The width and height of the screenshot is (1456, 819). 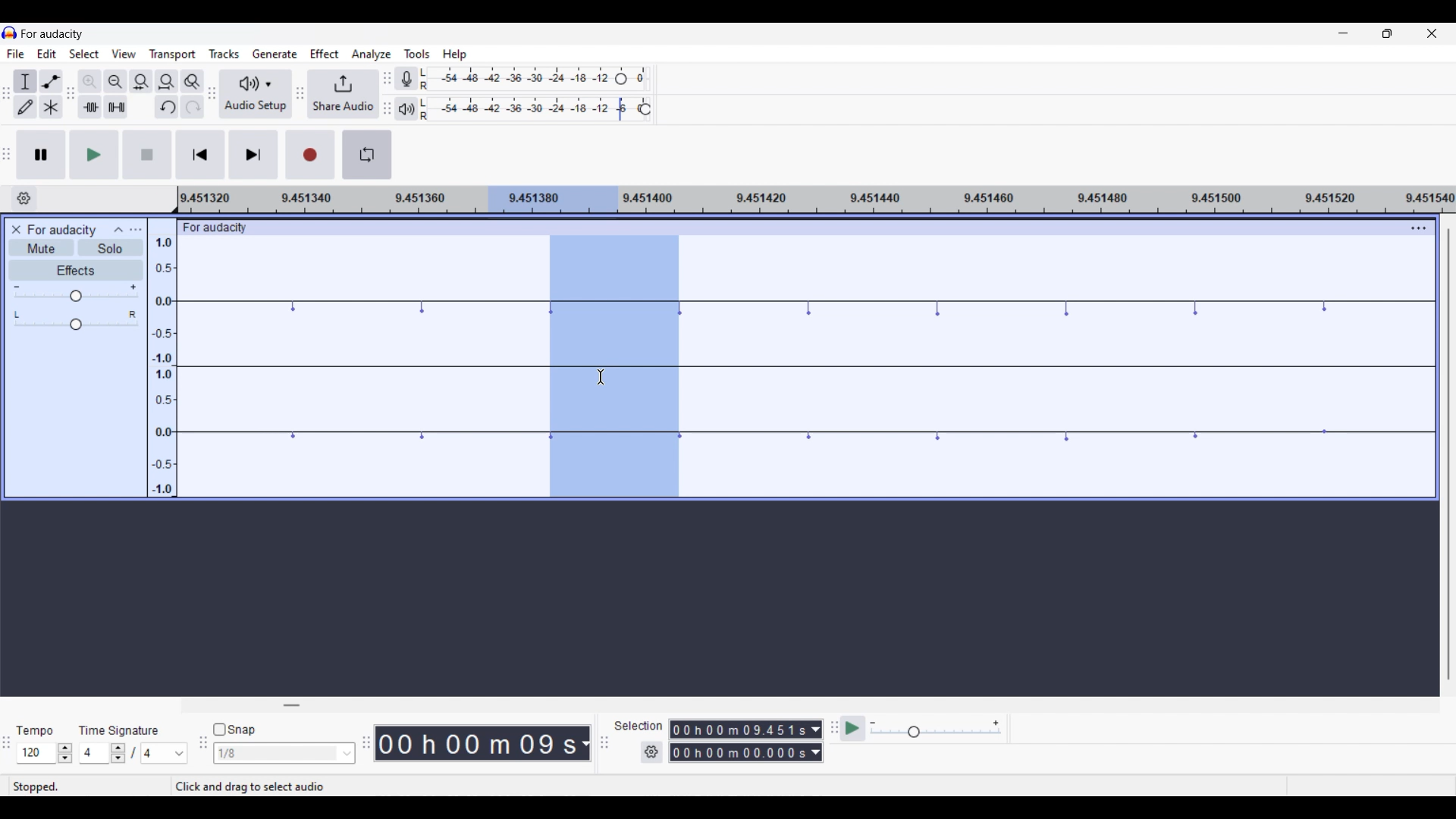 I want to click on Silence audio selection, so click(x=117, y=107).